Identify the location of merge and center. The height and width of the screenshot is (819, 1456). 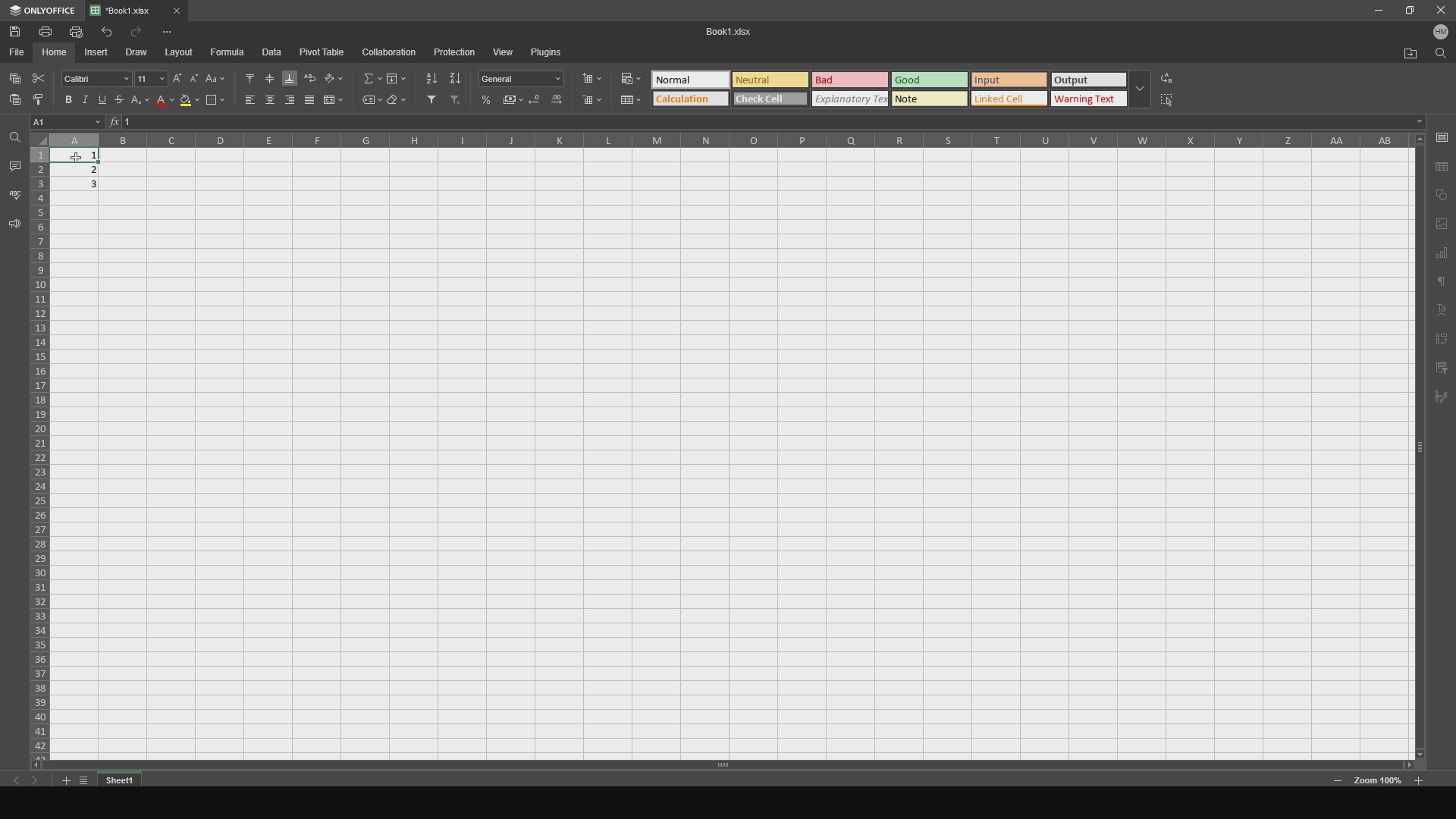
(336, 100).